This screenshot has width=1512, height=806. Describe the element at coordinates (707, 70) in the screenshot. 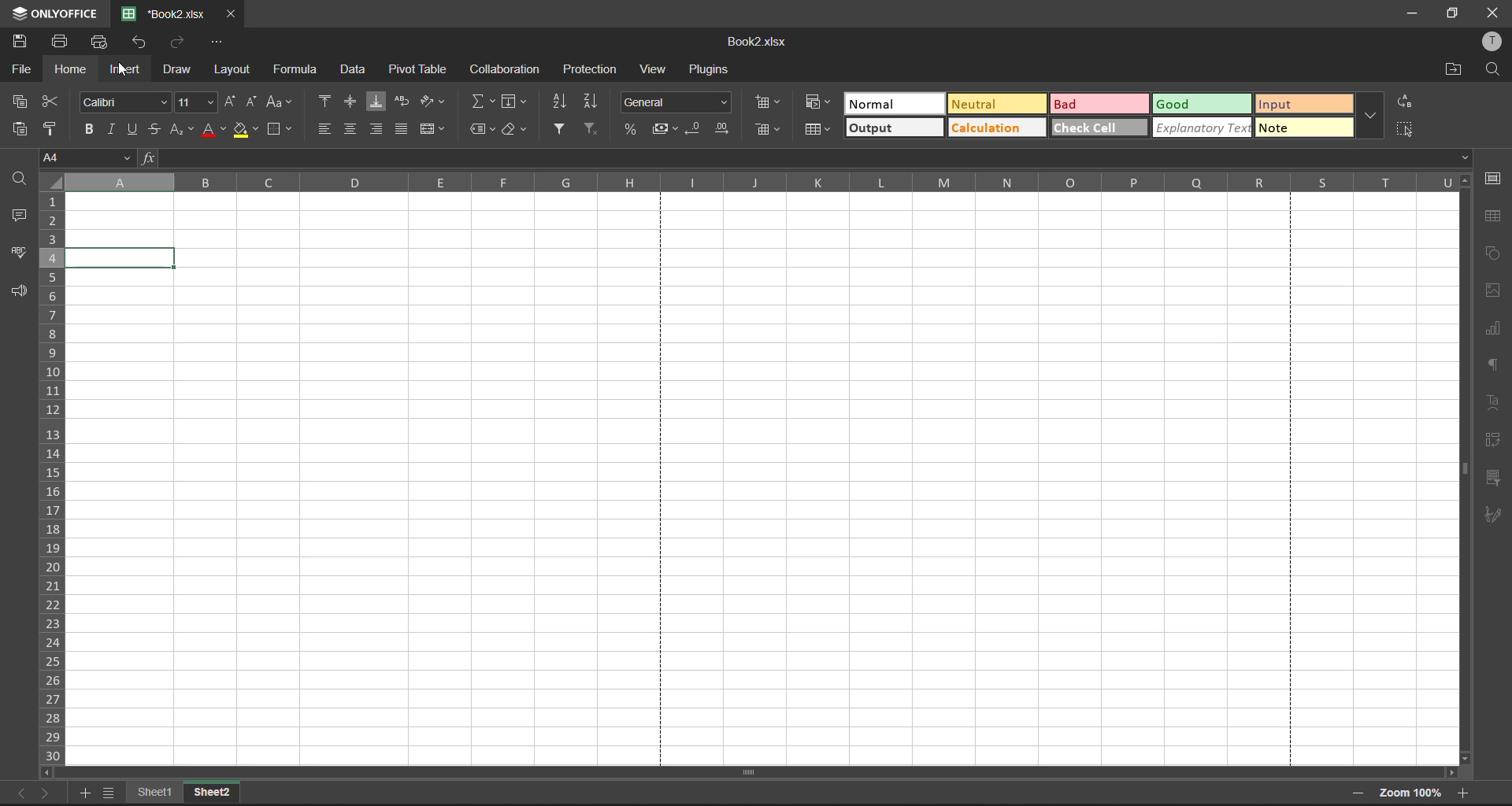

I see `plugins` at that location.